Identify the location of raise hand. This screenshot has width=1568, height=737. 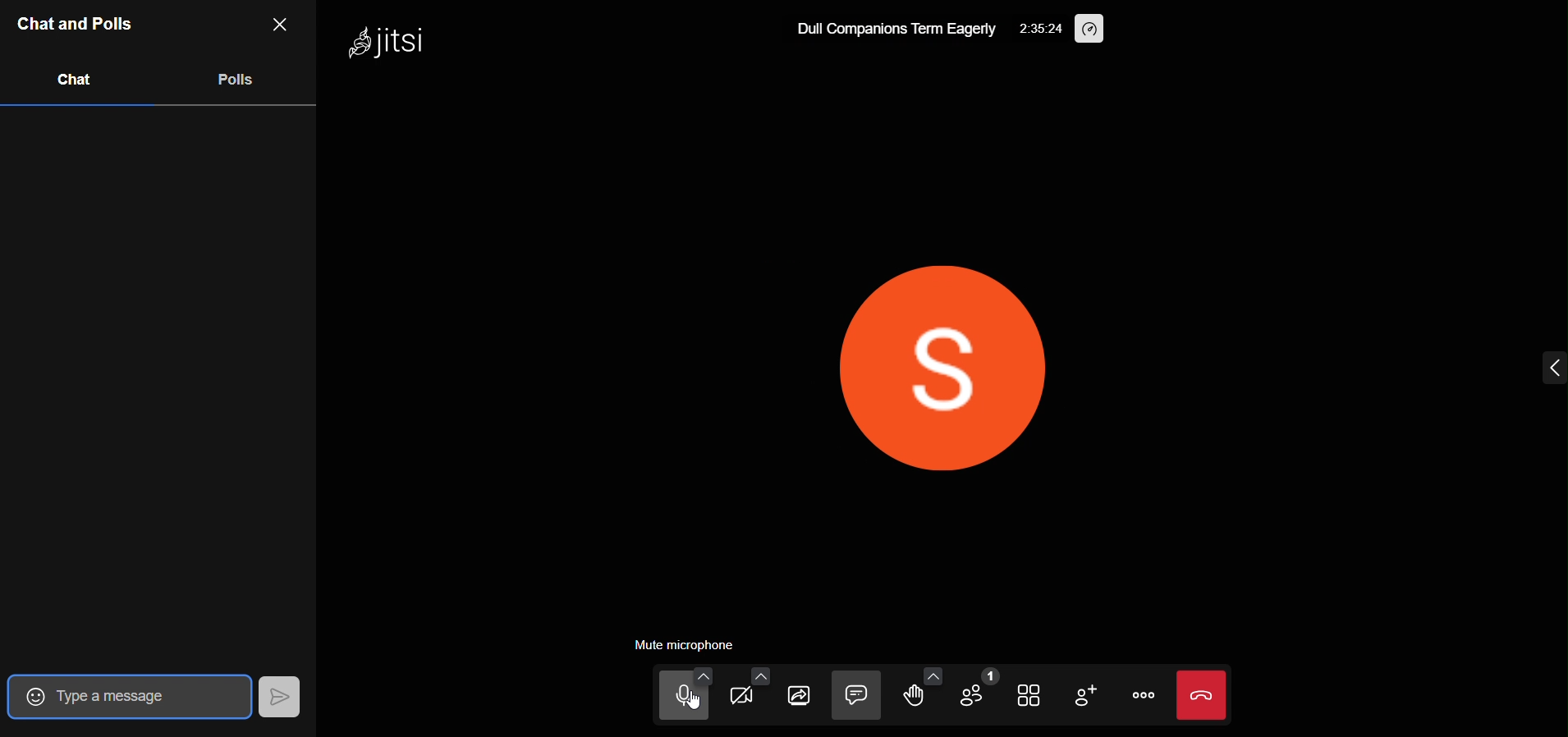
(914, 698).